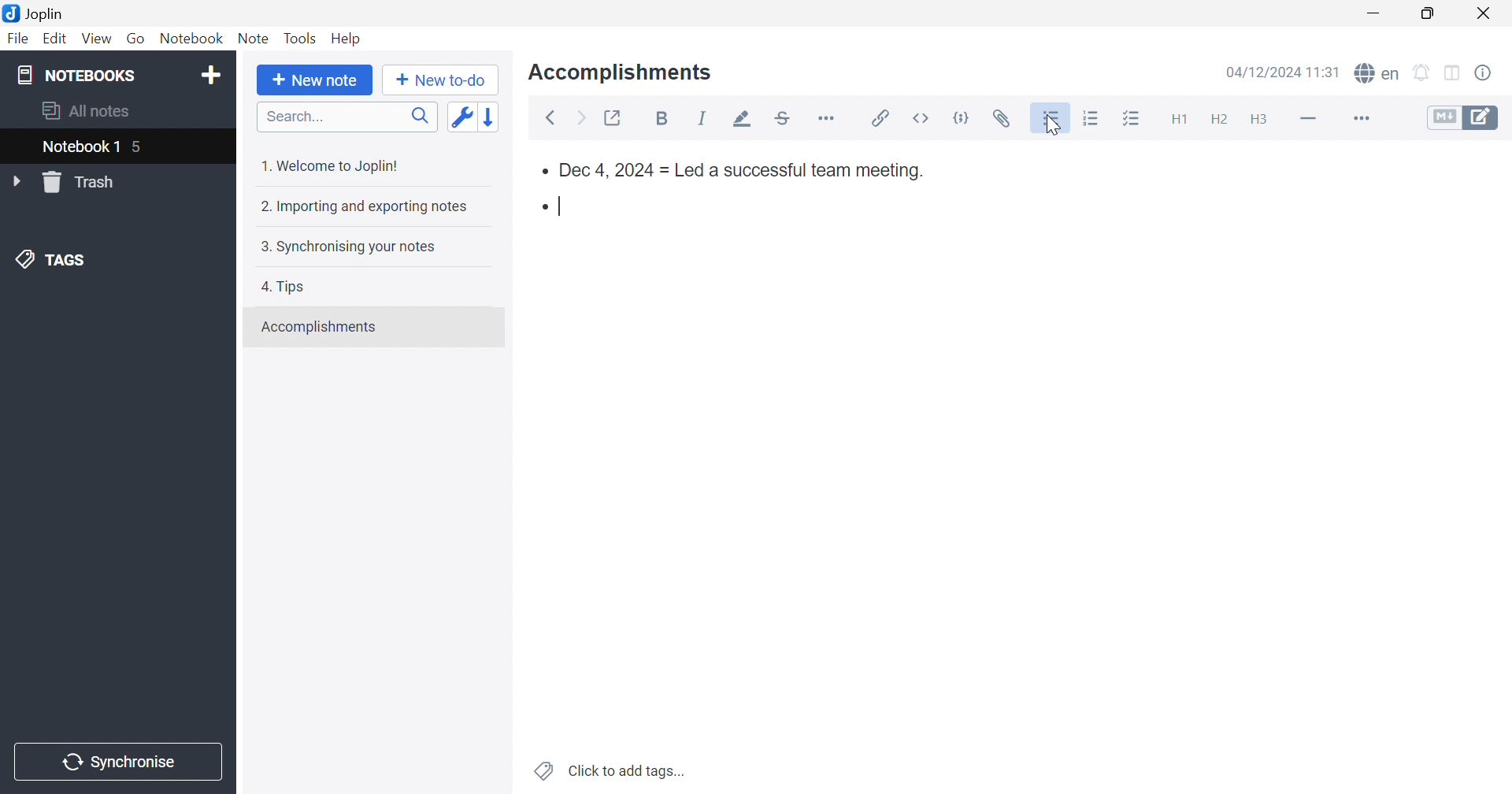  Describe the element at coordinates (210, 76) in the screenshot. I see `Add notebook` at that location.